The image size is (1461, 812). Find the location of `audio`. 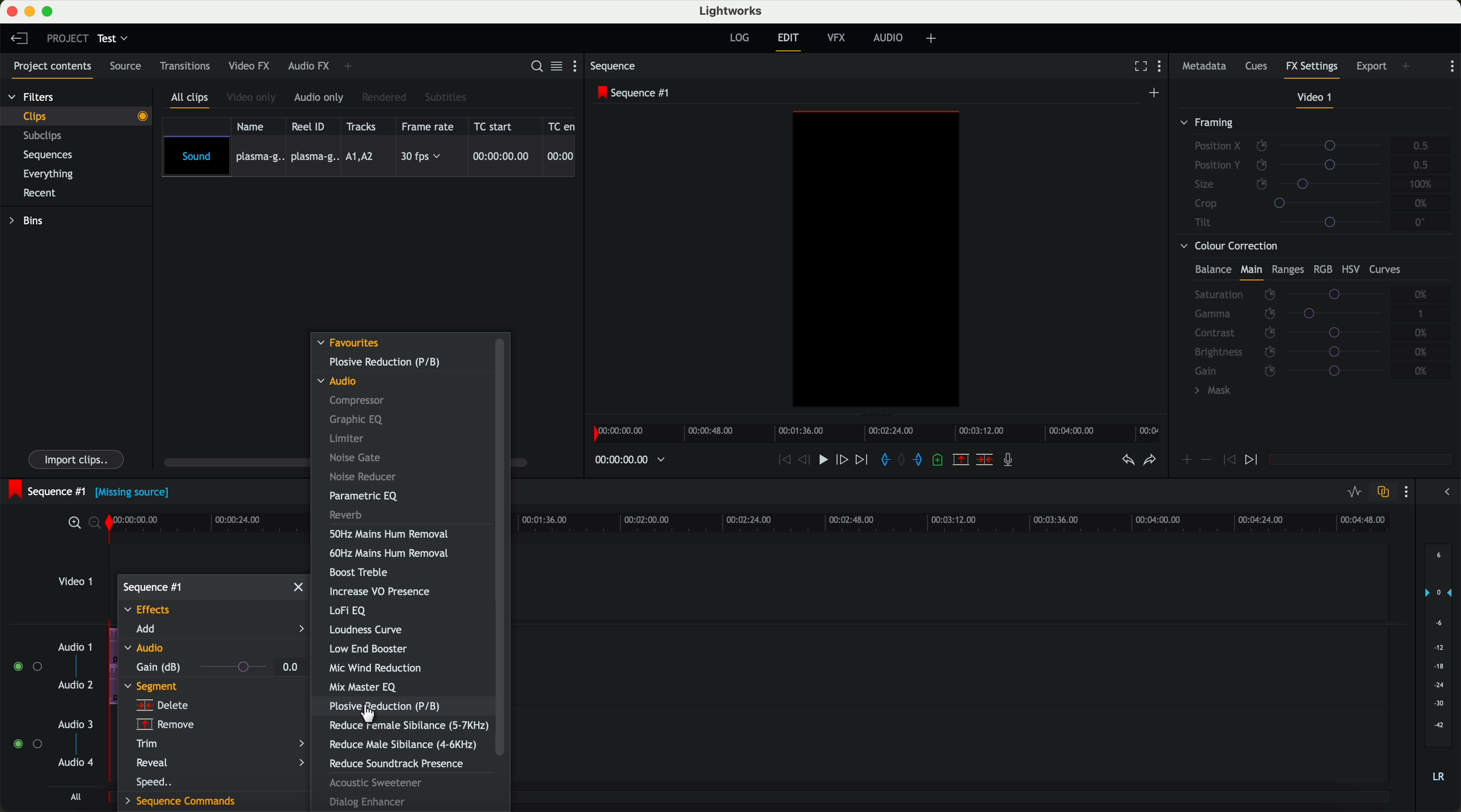

audio is located at coordinates (891, 39).